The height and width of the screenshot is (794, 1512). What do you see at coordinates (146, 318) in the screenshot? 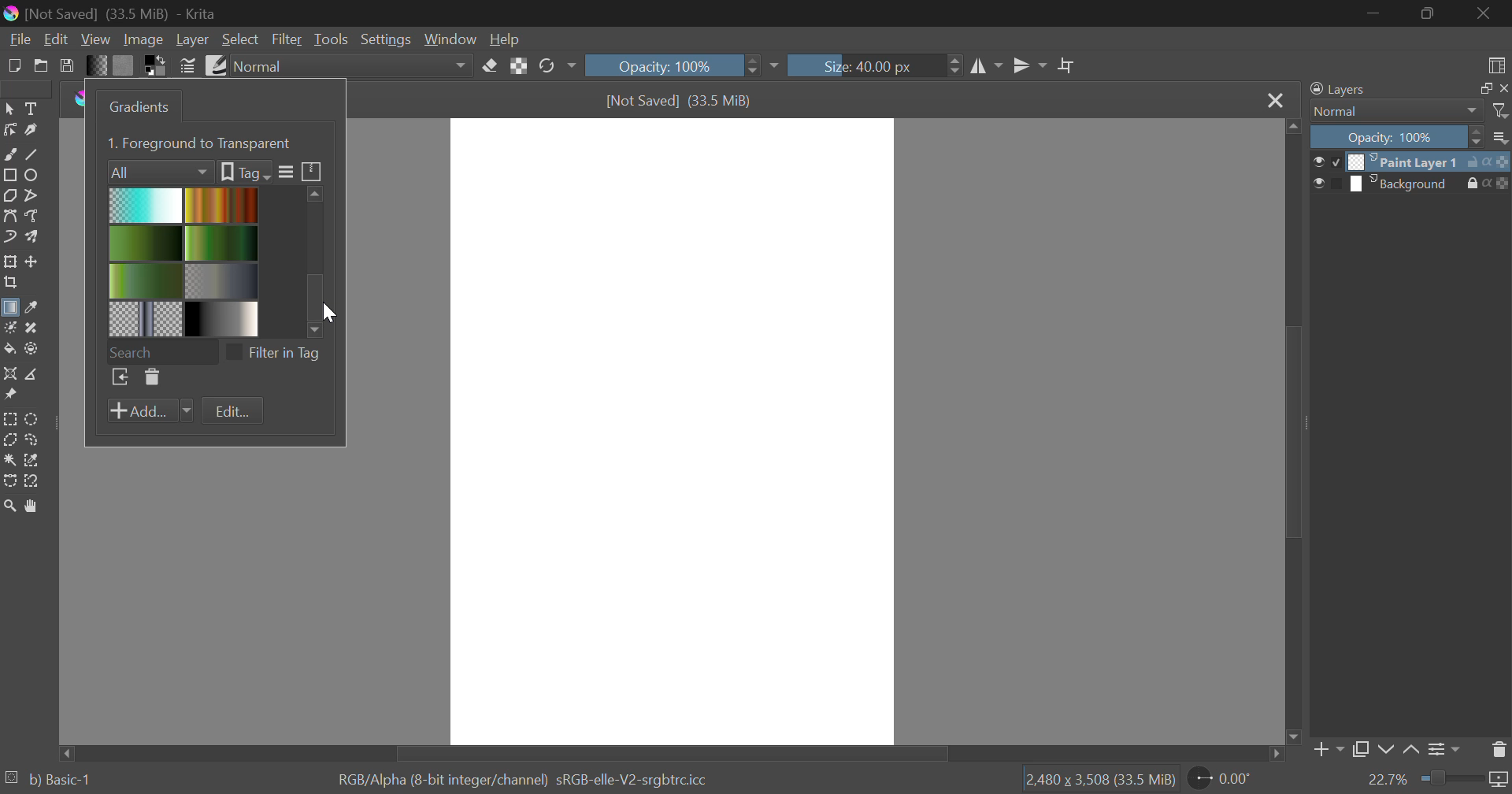
I see `Gradient 7` at bounding box center [146, 318].